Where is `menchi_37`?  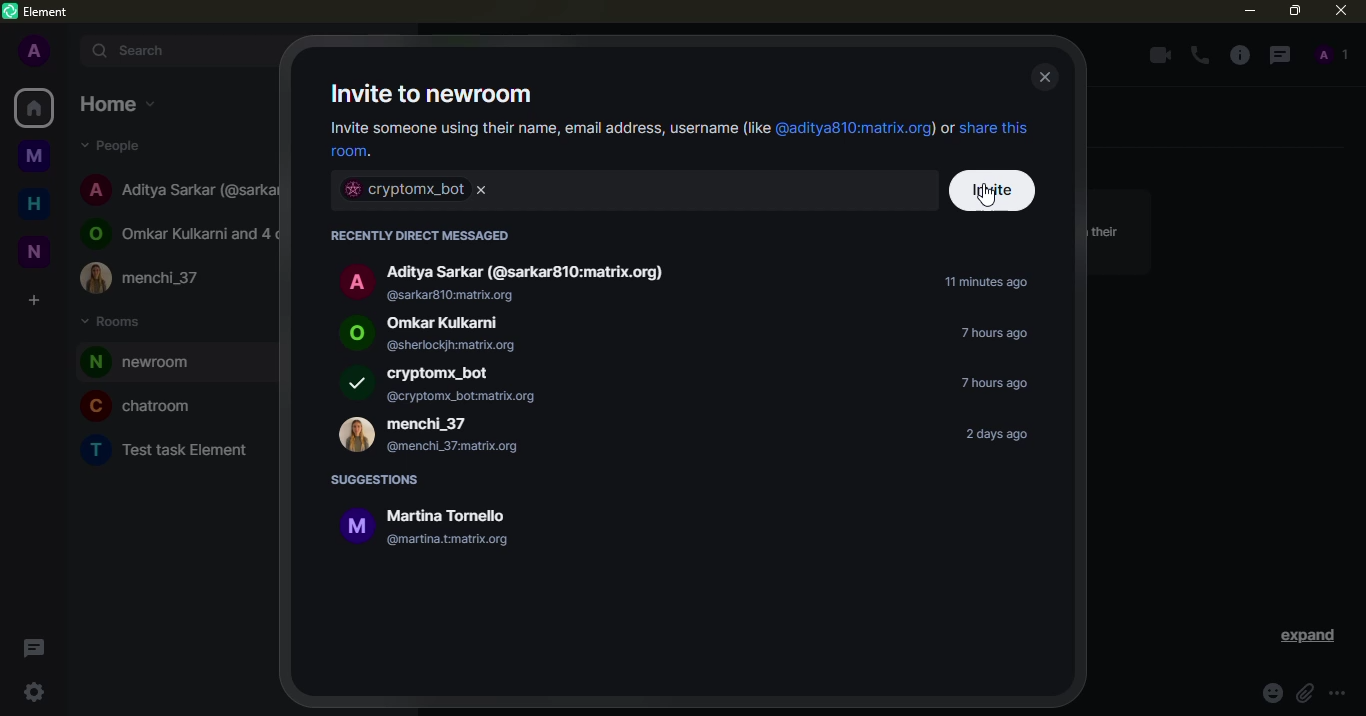
menchi_37 is located at coordinates (140, 280).